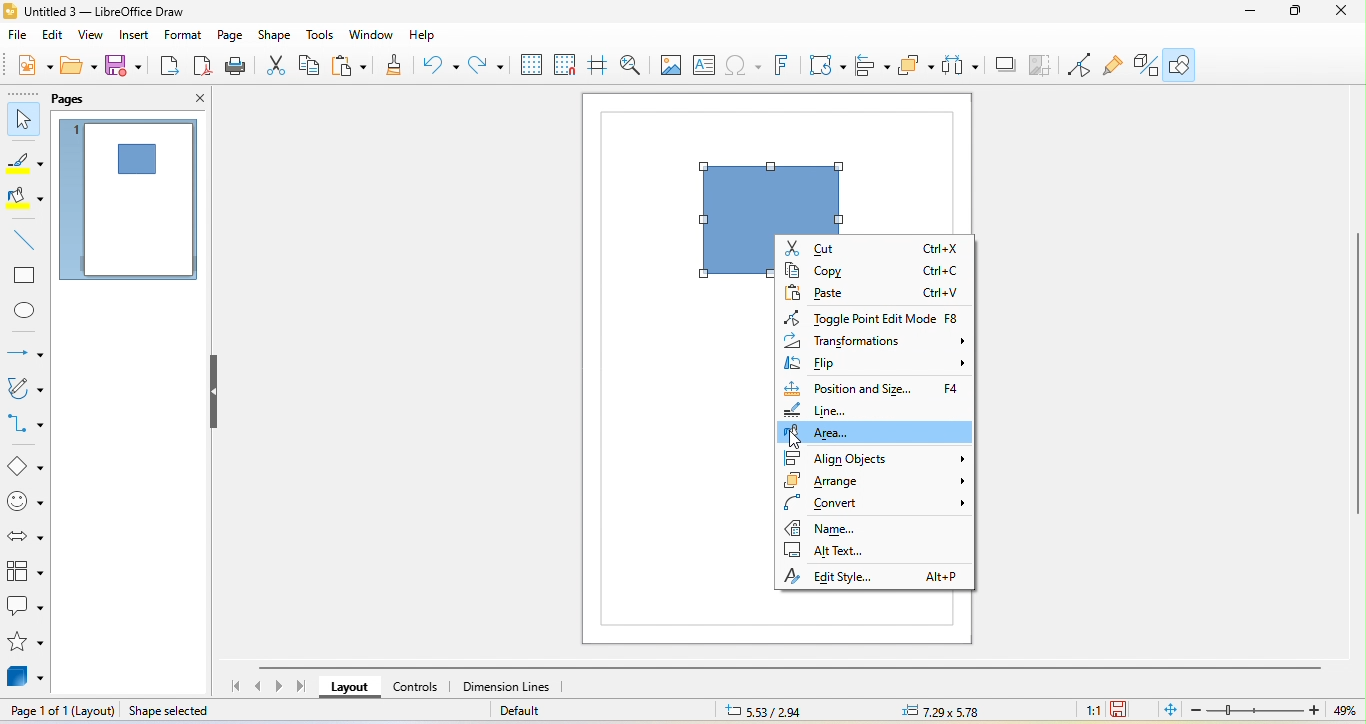 The image size is (1366, 724). I want to click on export, so click(167, 68).